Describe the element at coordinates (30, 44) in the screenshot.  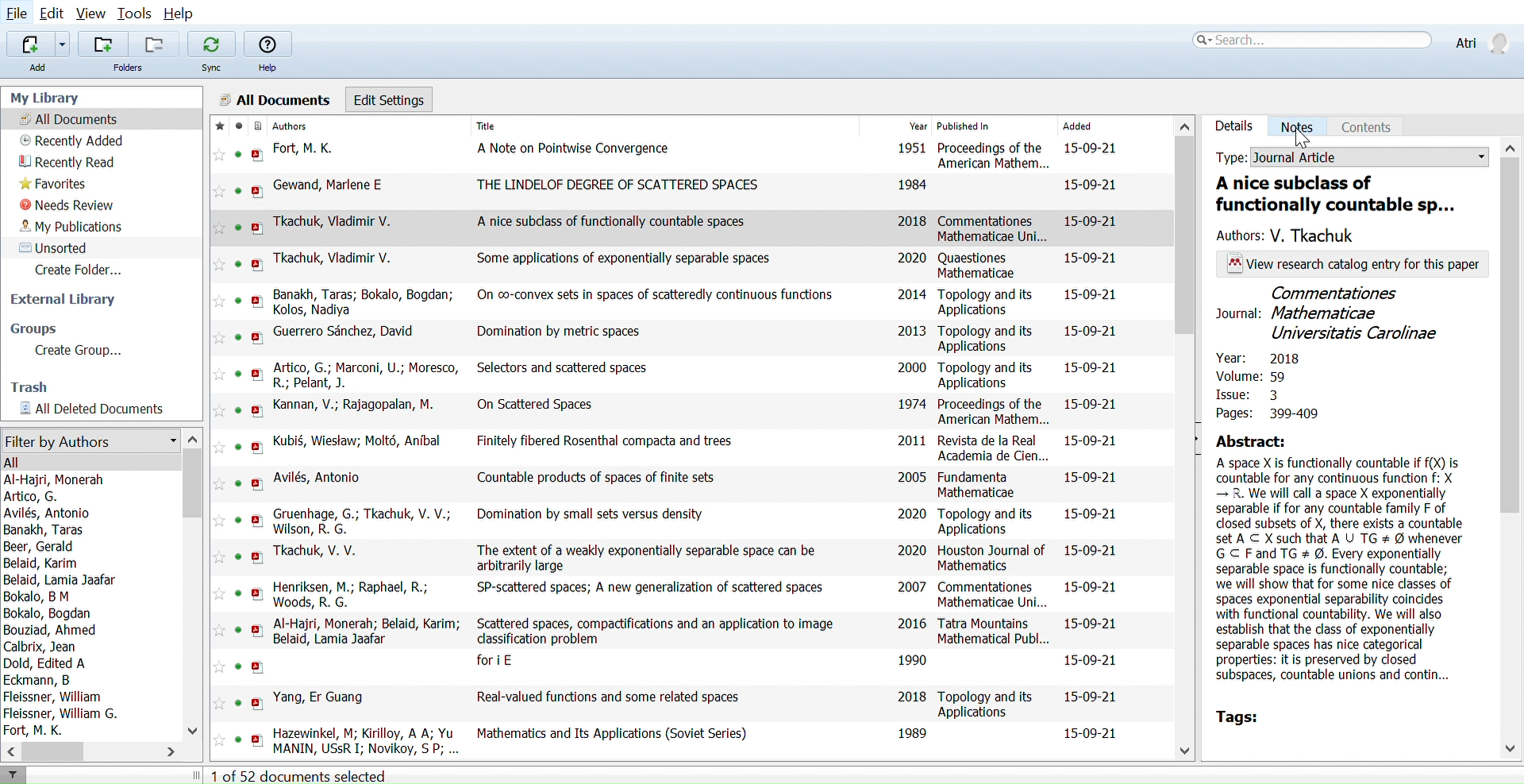
I see `Add file` at that location.